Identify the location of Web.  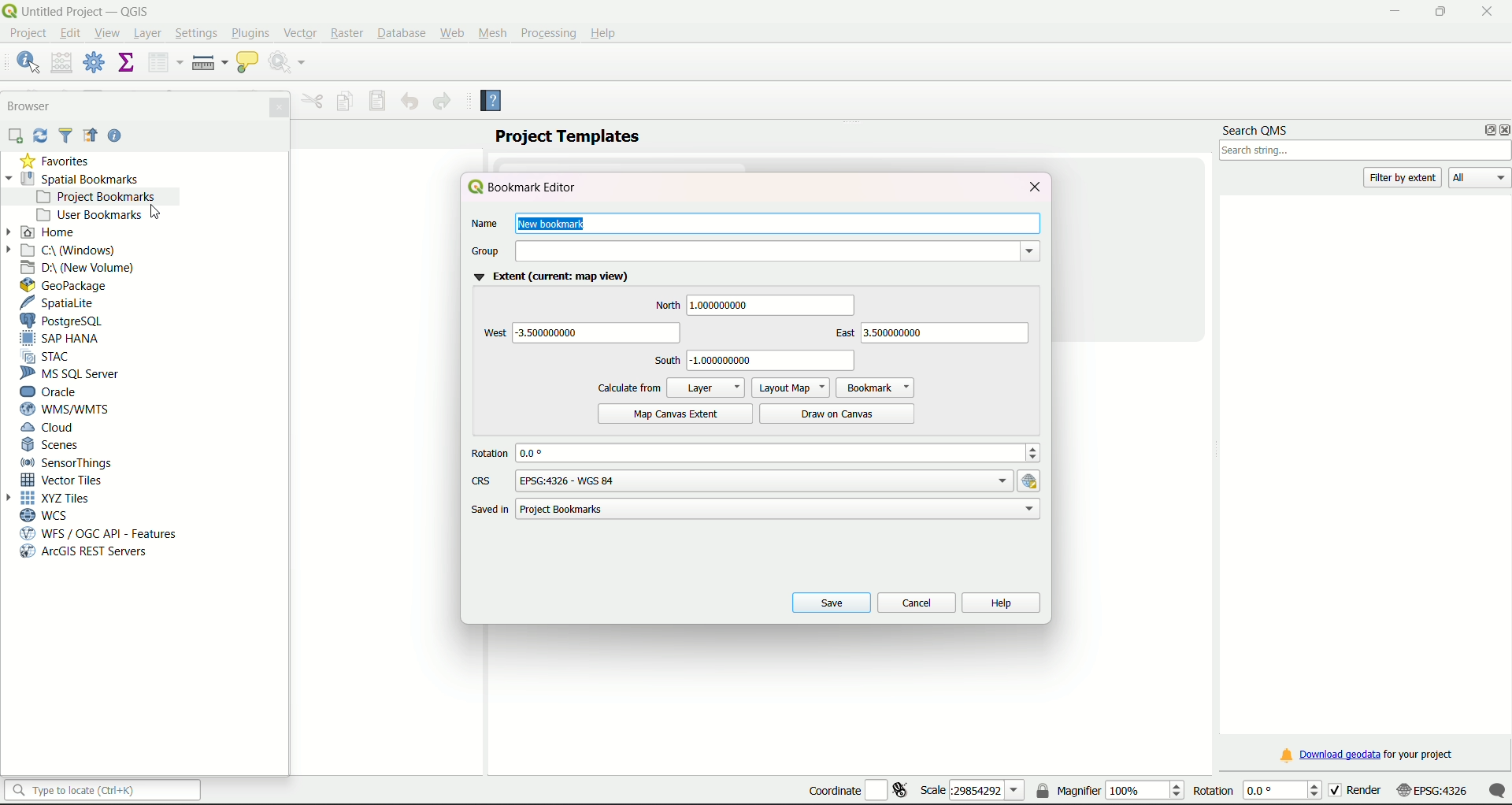
(452, 33).